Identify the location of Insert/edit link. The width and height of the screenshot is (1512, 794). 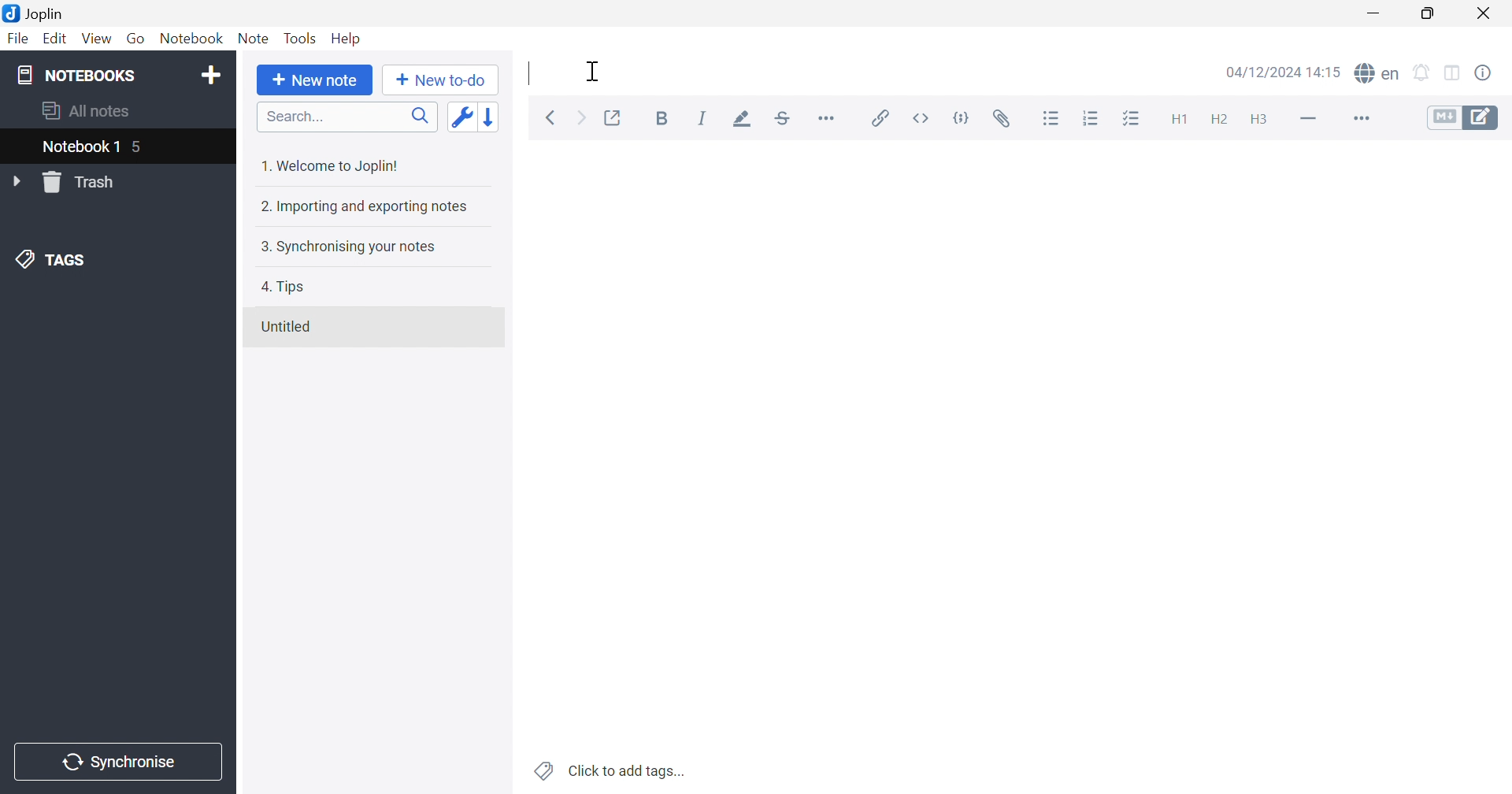
(878, 118).